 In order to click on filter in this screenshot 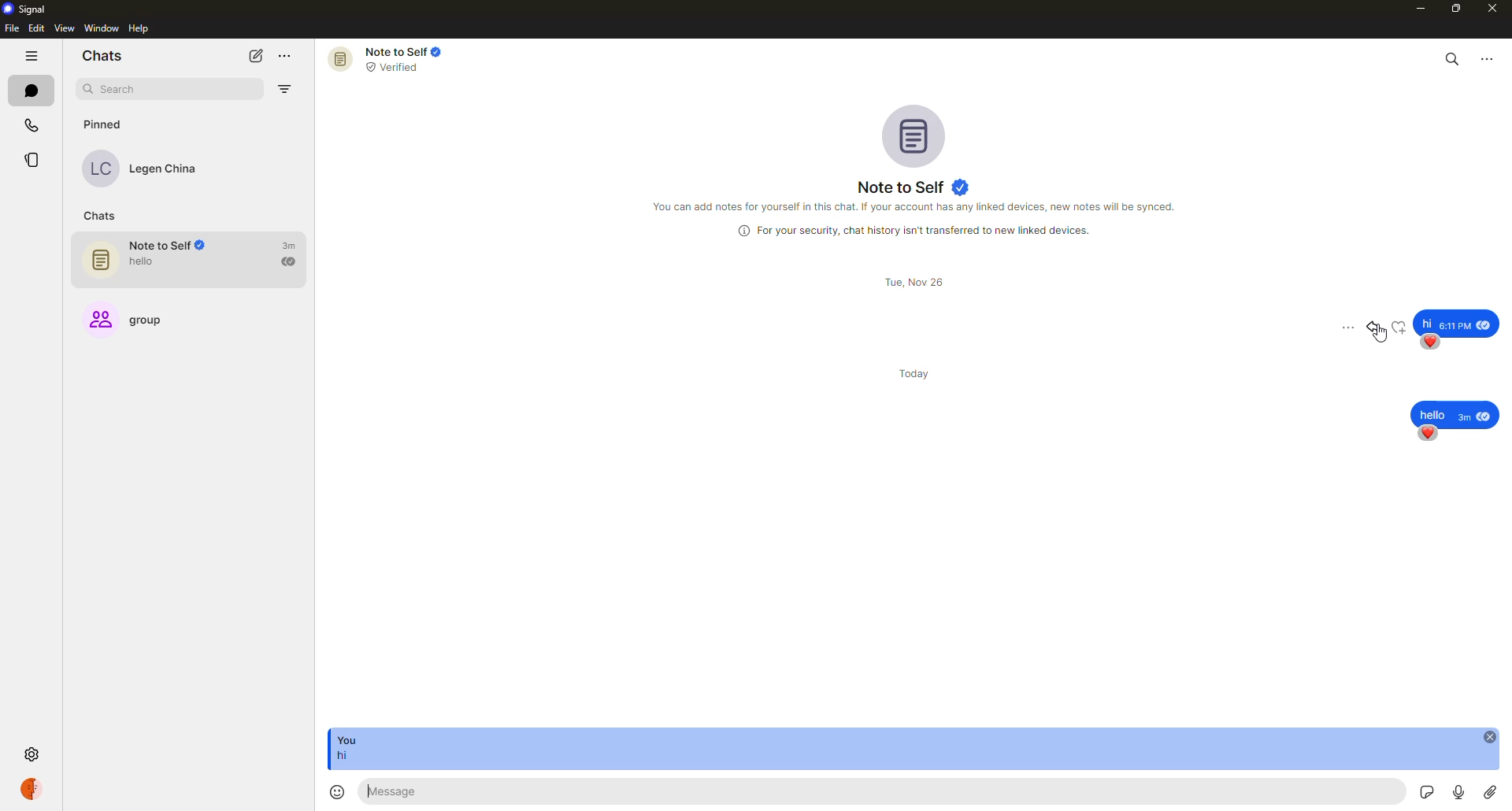, I will do `click(286, 91)`.